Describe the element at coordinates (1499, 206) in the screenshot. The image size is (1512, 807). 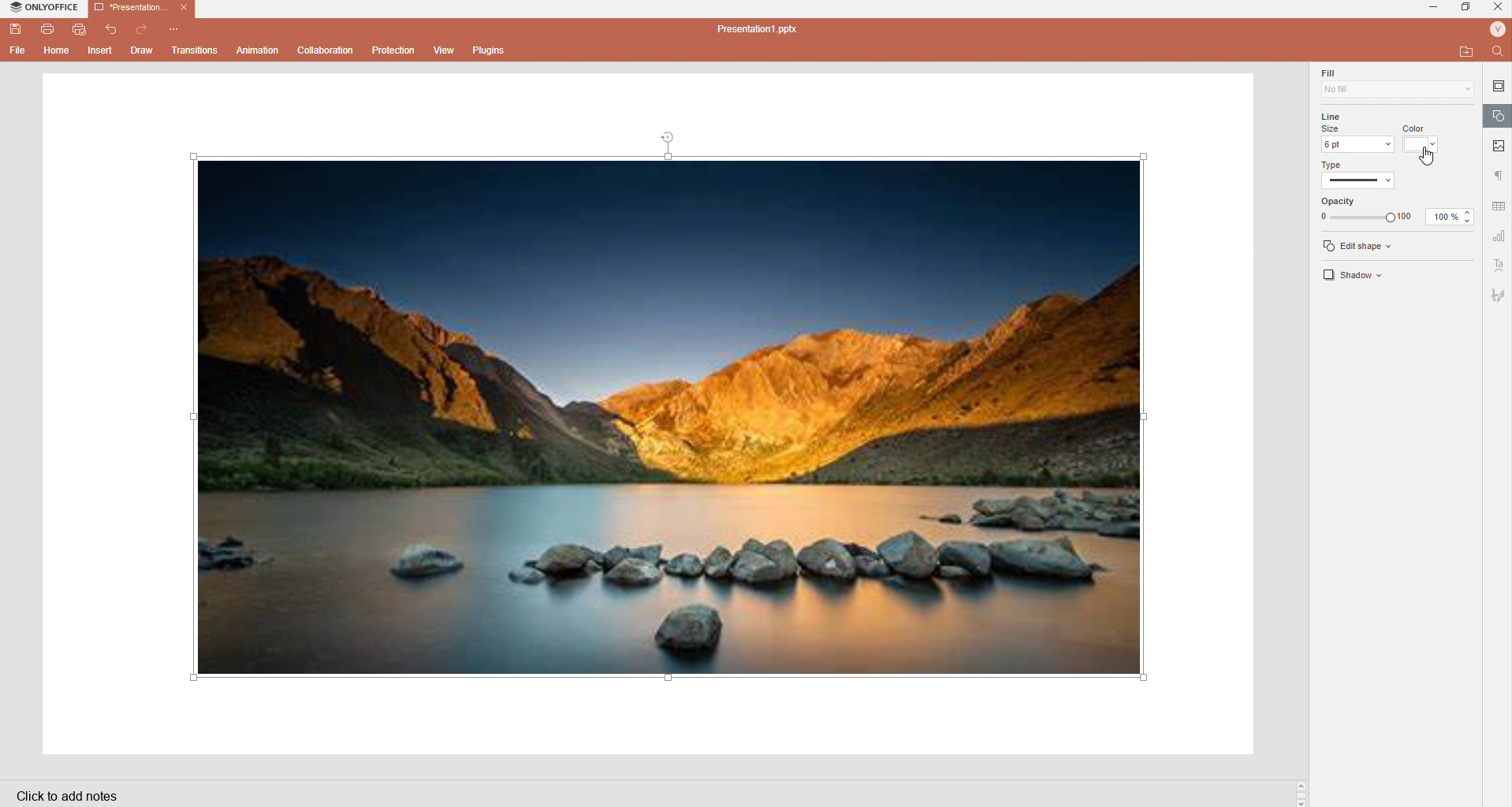
I see `Data settings` at that location.